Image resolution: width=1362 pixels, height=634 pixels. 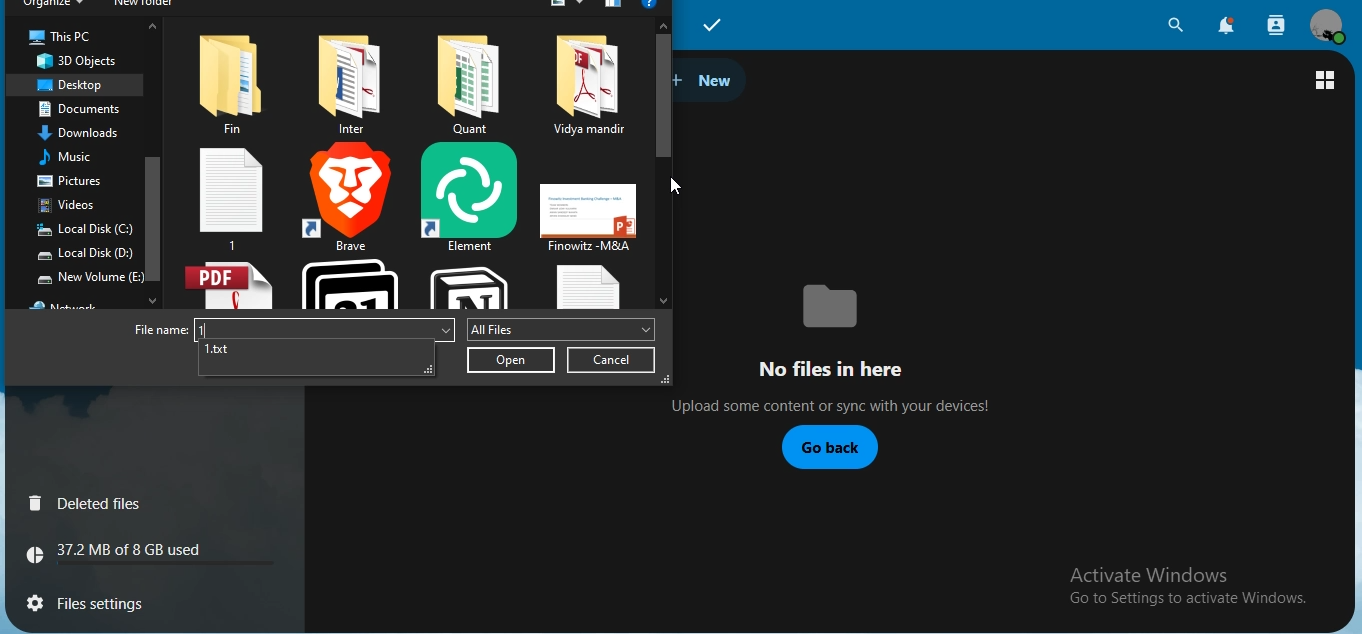 What do you see at coordinates (83, 132) in the screenshot?
I see `downloads` at bounding box center [83, 132].